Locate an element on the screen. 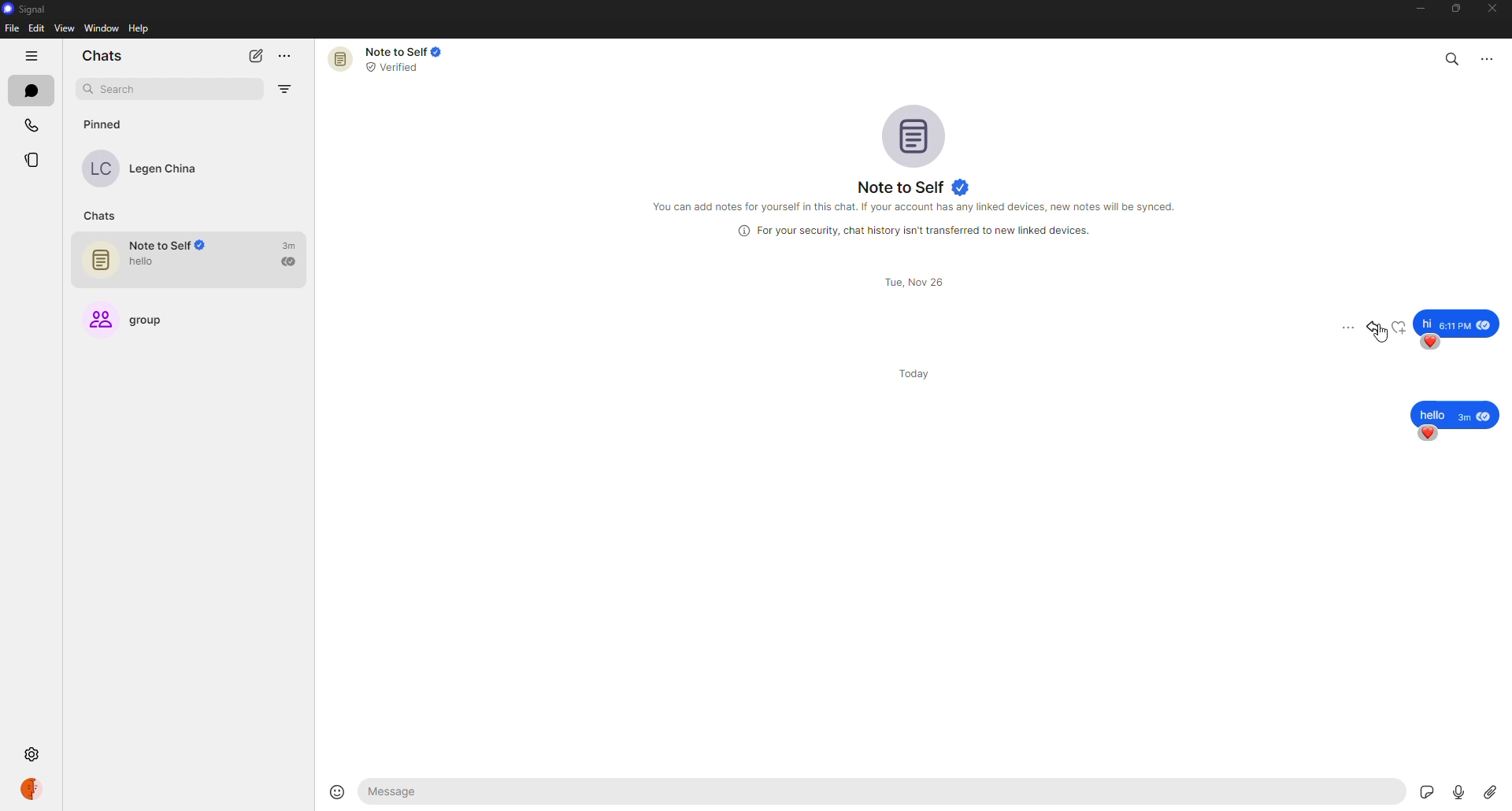 The width and height of the screenshot is (1512, 811). message is located at coordinates (482, 793).